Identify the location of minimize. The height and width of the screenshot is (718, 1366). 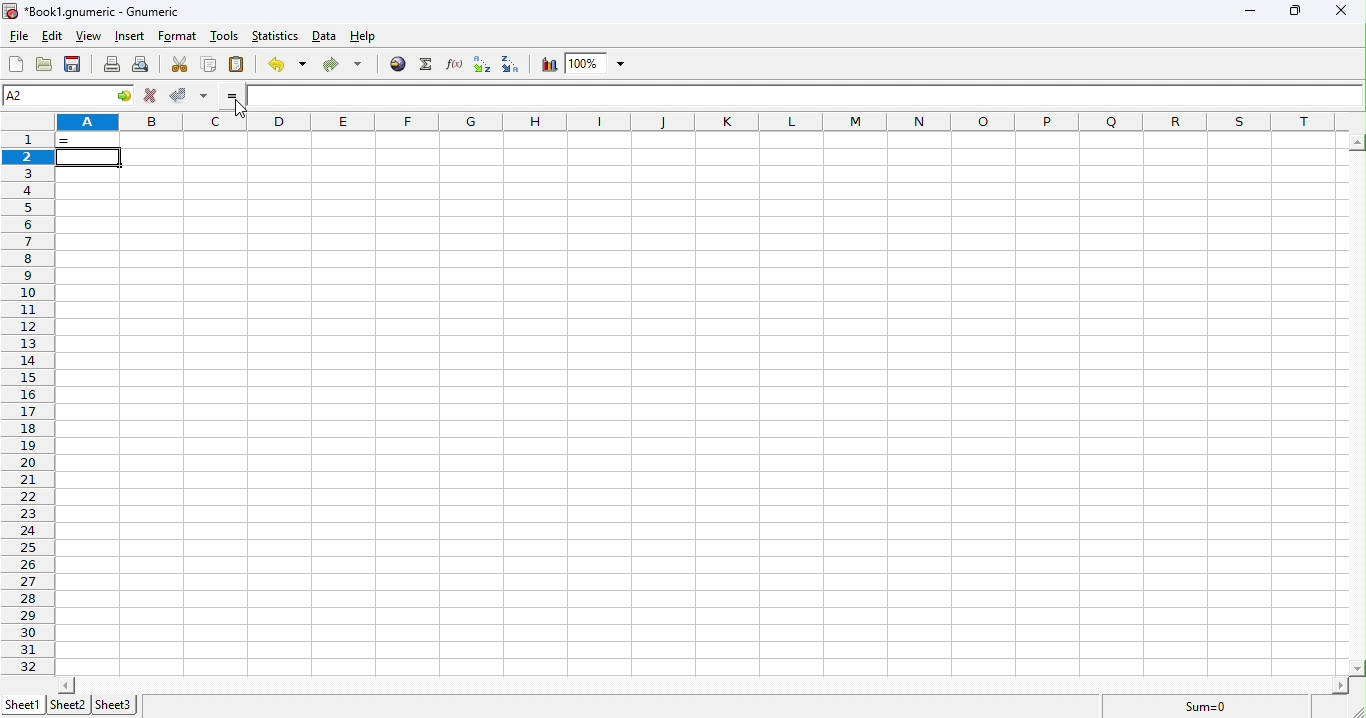
(1247, 11).